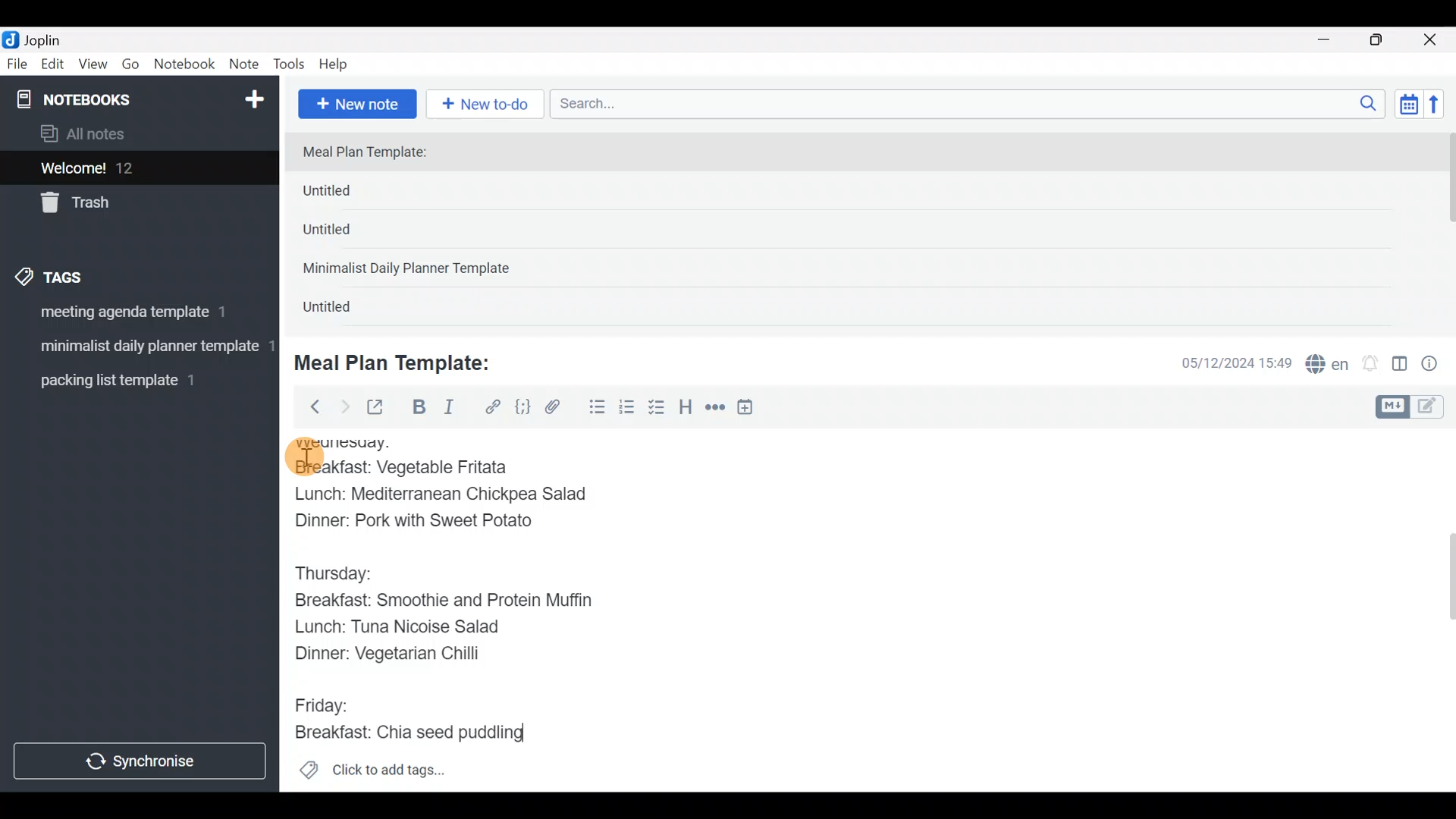  I want to click on New to-do, so click(488, 105).